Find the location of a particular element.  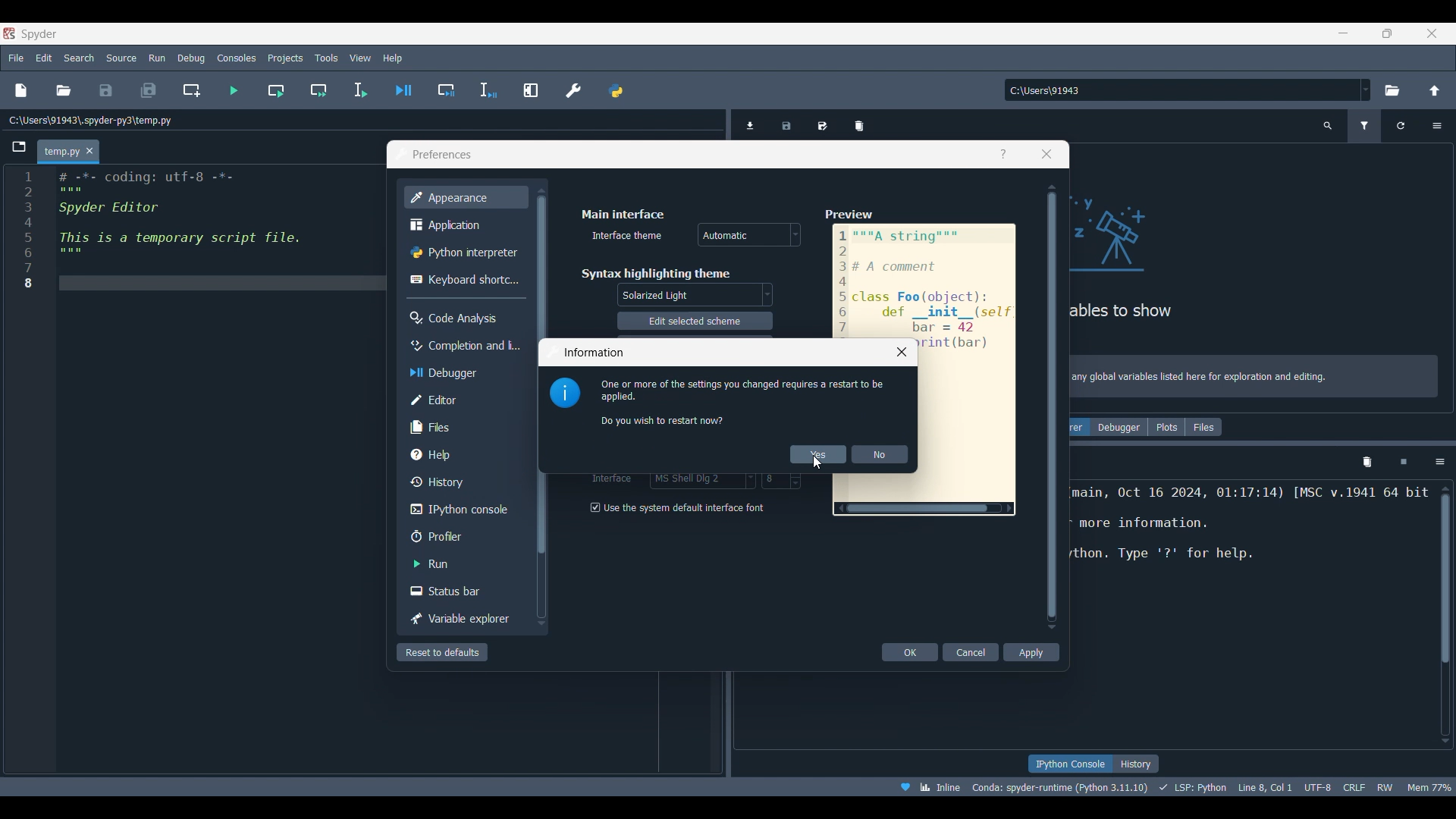

Search menu is located at coordinates (80, 58).